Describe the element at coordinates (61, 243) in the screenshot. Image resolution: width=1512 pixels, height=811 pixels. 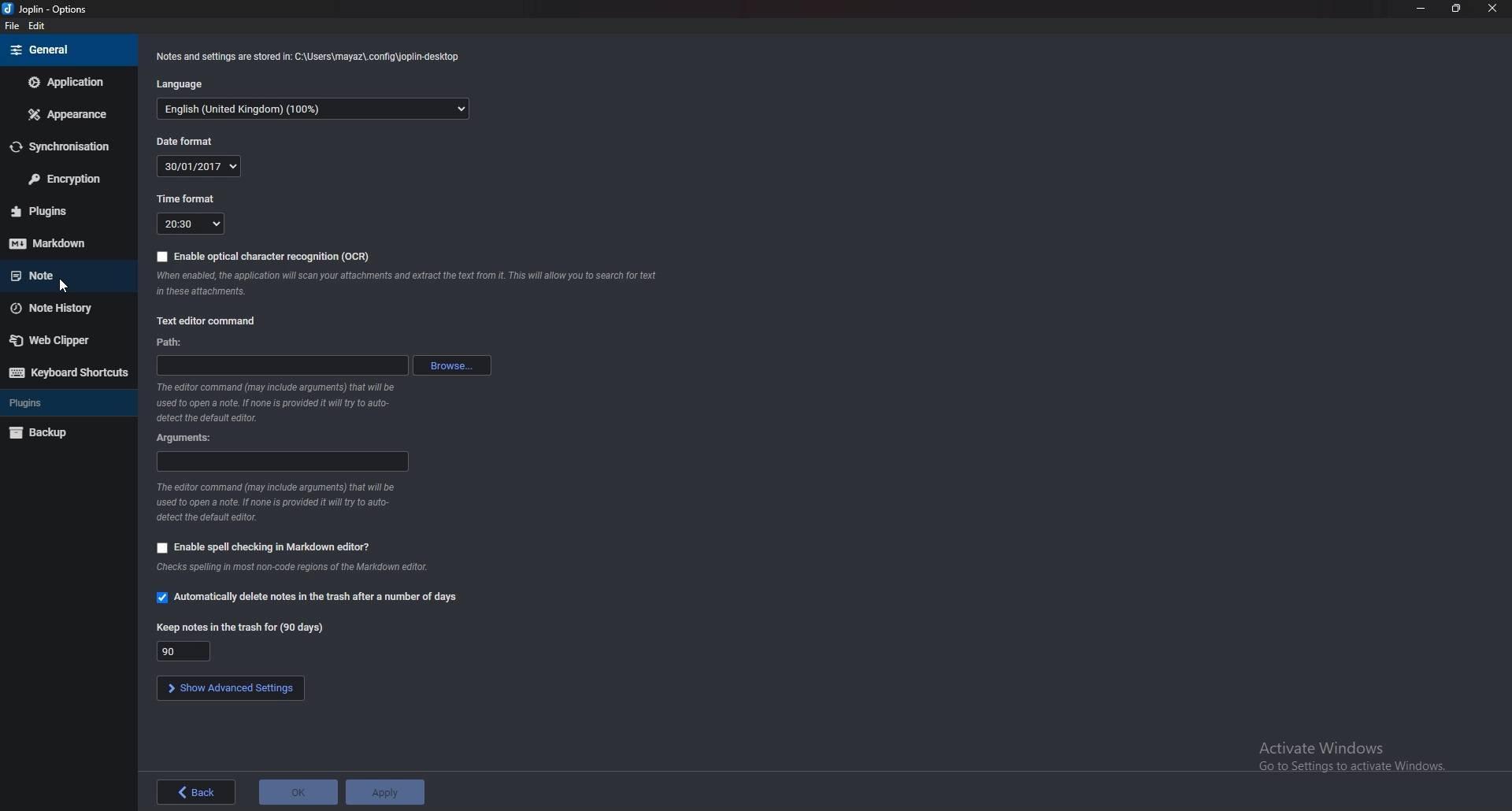
I see `Mark down` at that location.